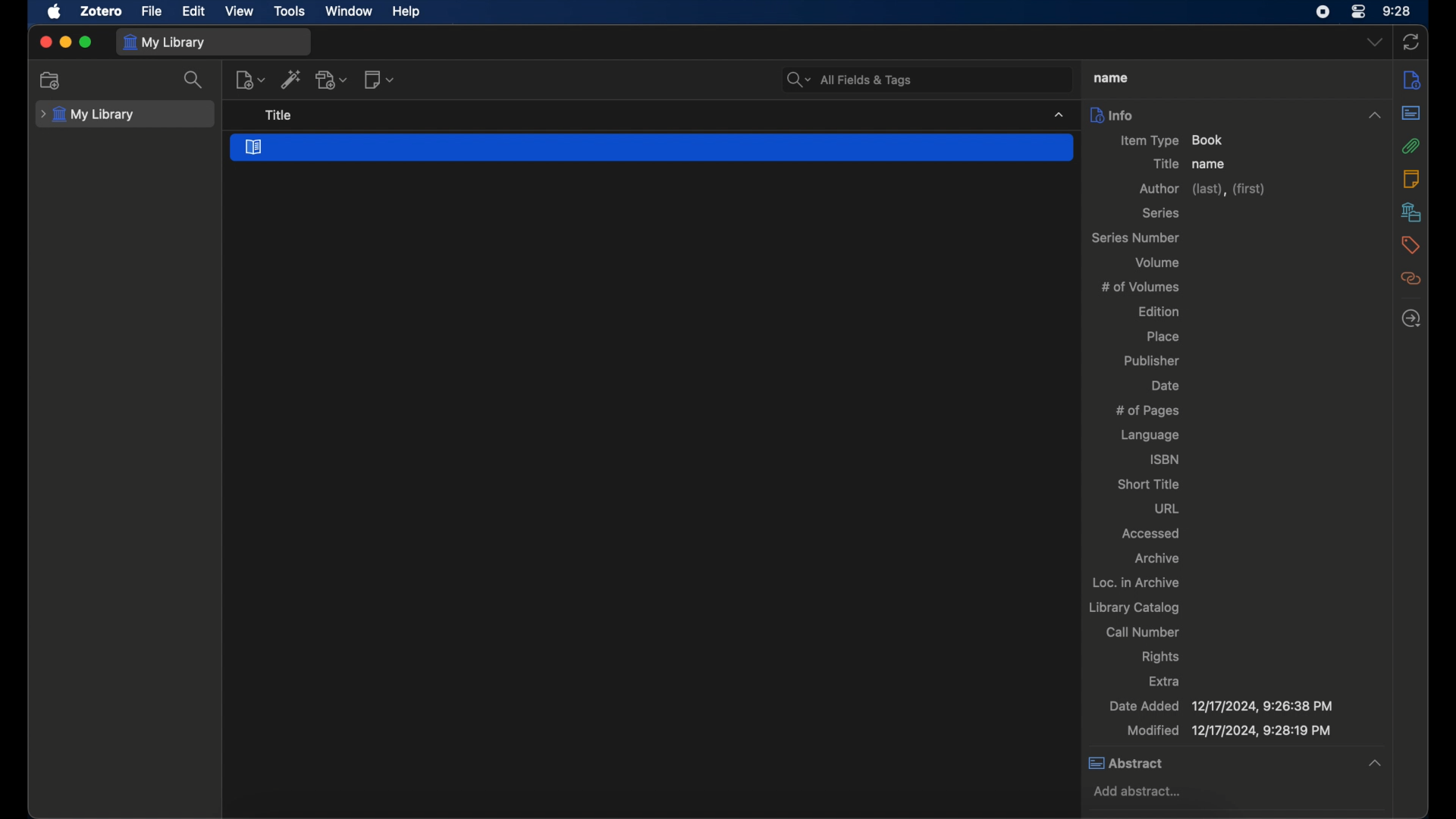 The width and height of the screenshot is (1456, 819). I want to click on publisher, so click(1152, 360).